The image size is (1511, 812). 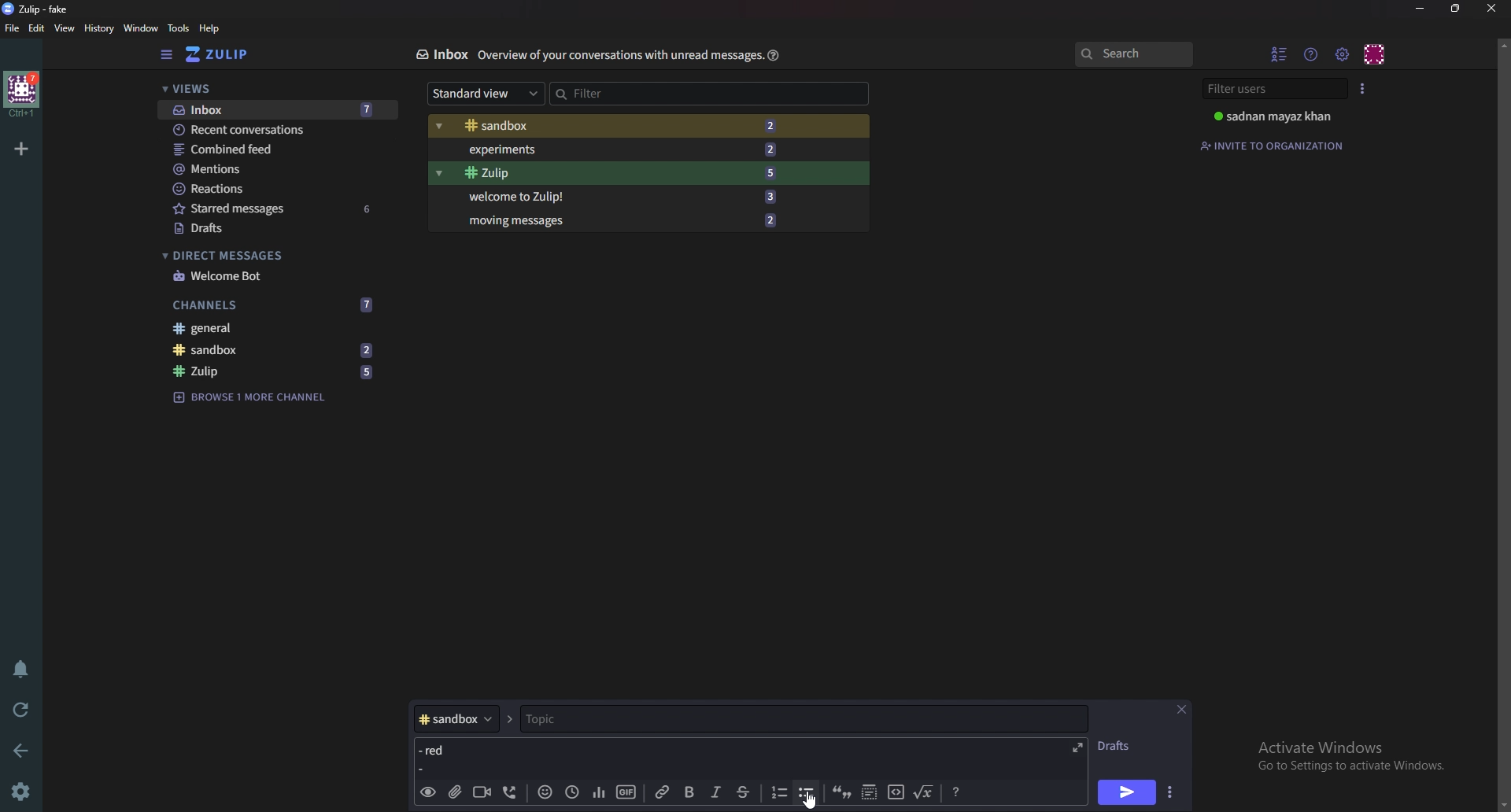 I want to click on Voice call, so click(x=513, y=792).